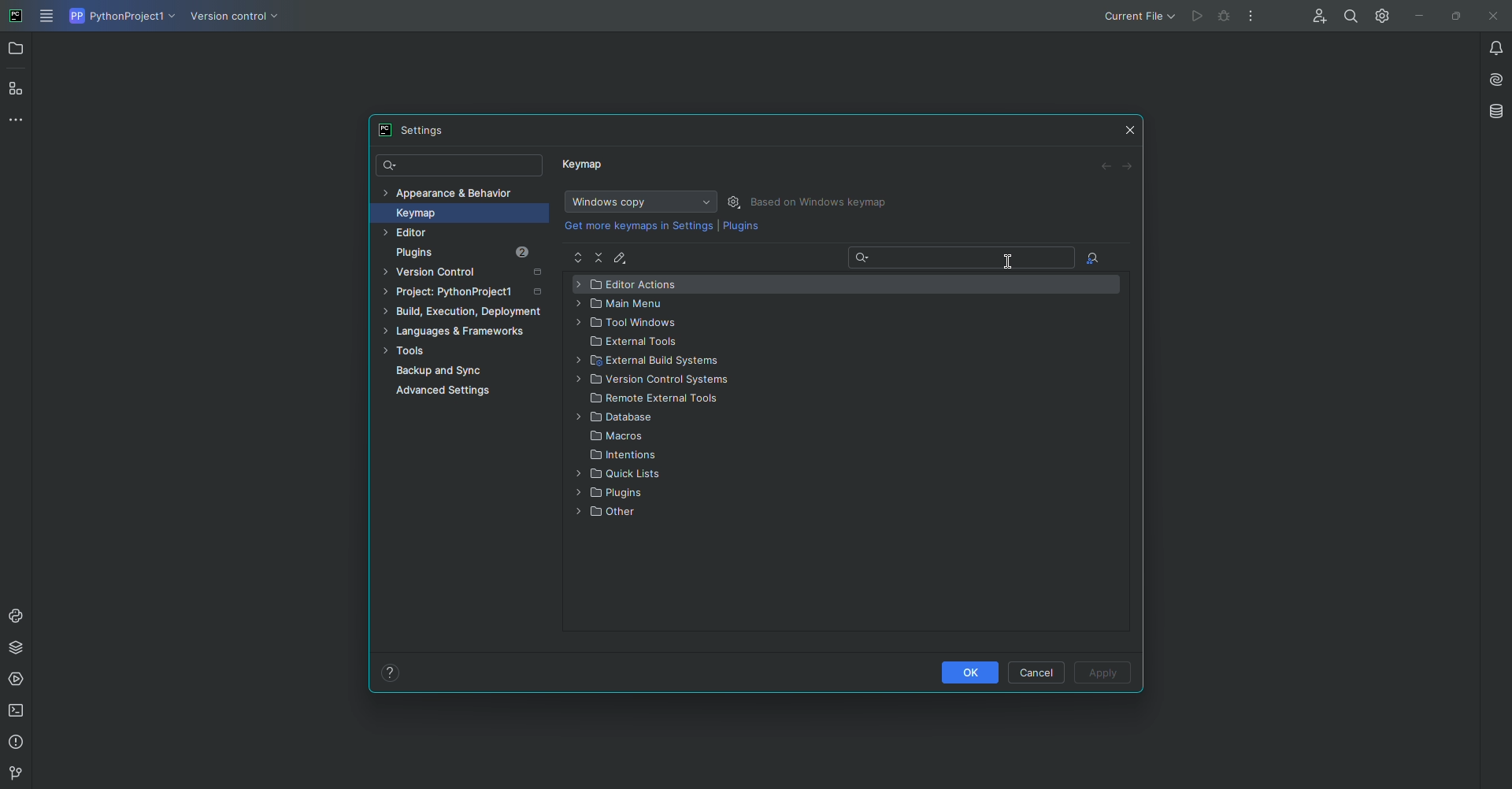 This screenshot has width=1512, height=789. I want to click on Backup and Sync, so click(471, 371).